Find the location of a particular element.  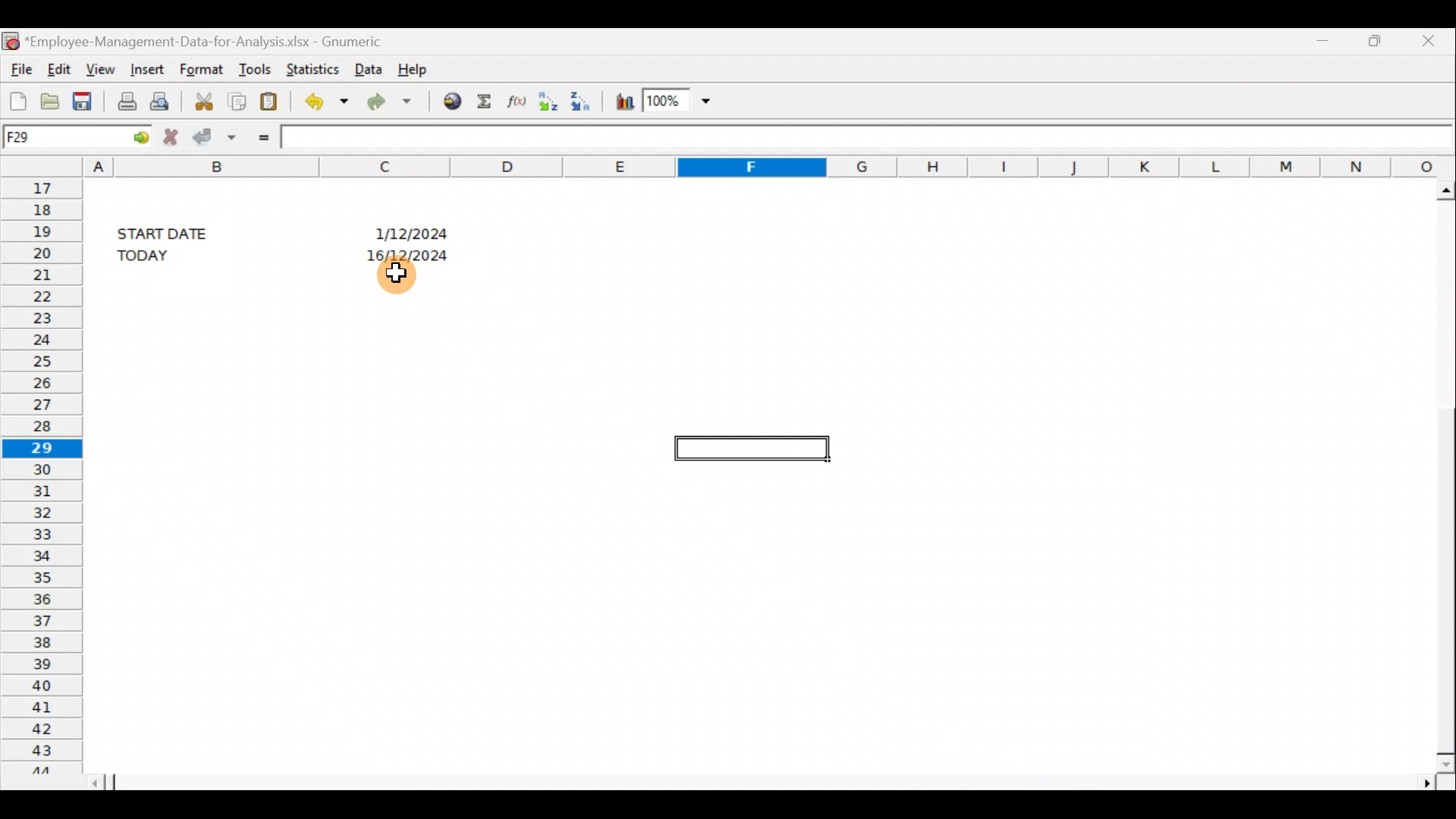

Insert is located at coordinates (146, 70).